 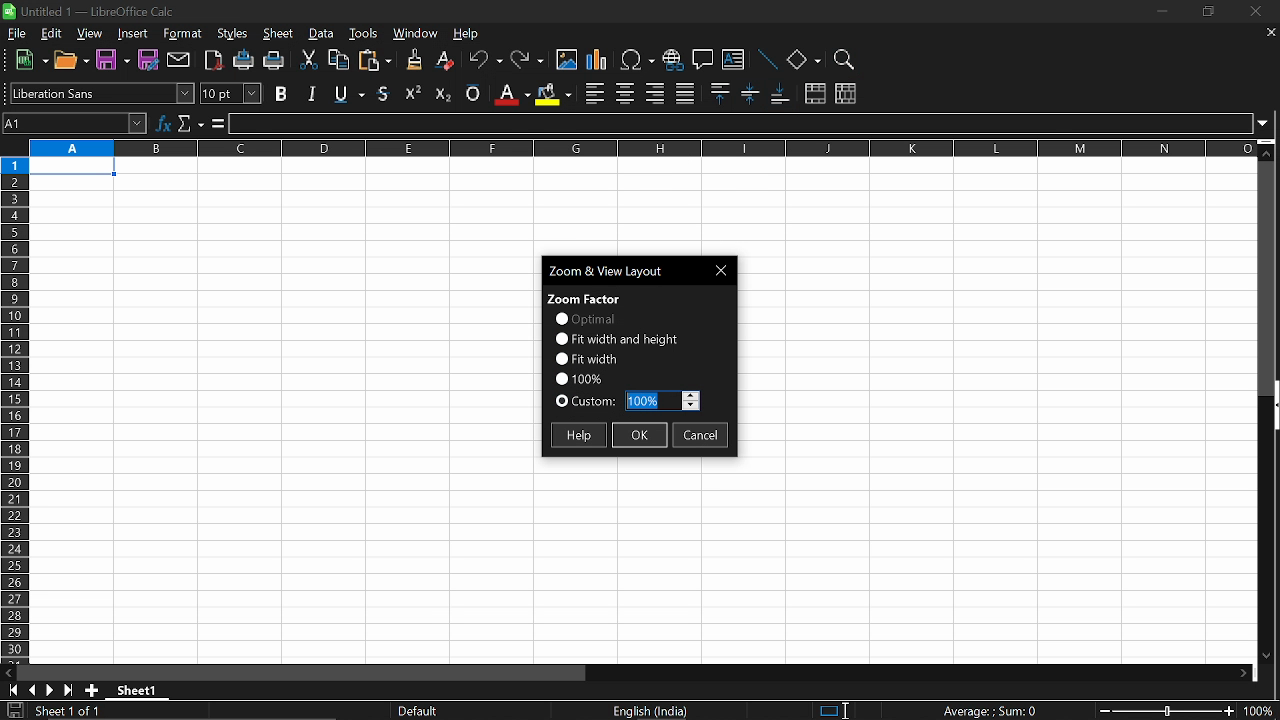 What do you see at coordinates (1248, 673) in the screenshot?
I see `move right` at bounding box center [1248, 673].